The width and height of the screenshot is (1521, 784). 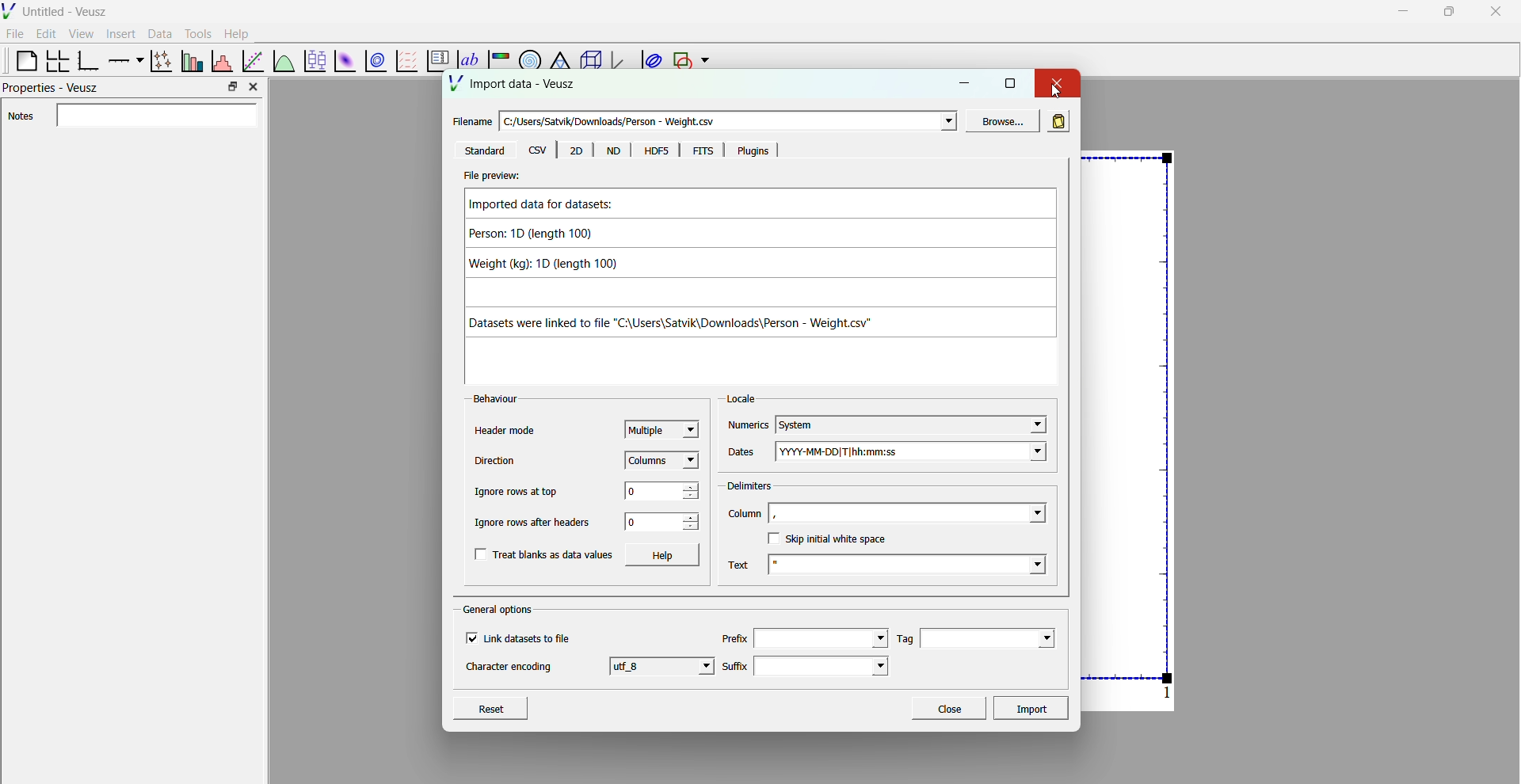 What do you see at coordinates (967, 82) in the screenshot?
I see `minimize` at bounding box center [967, 82].